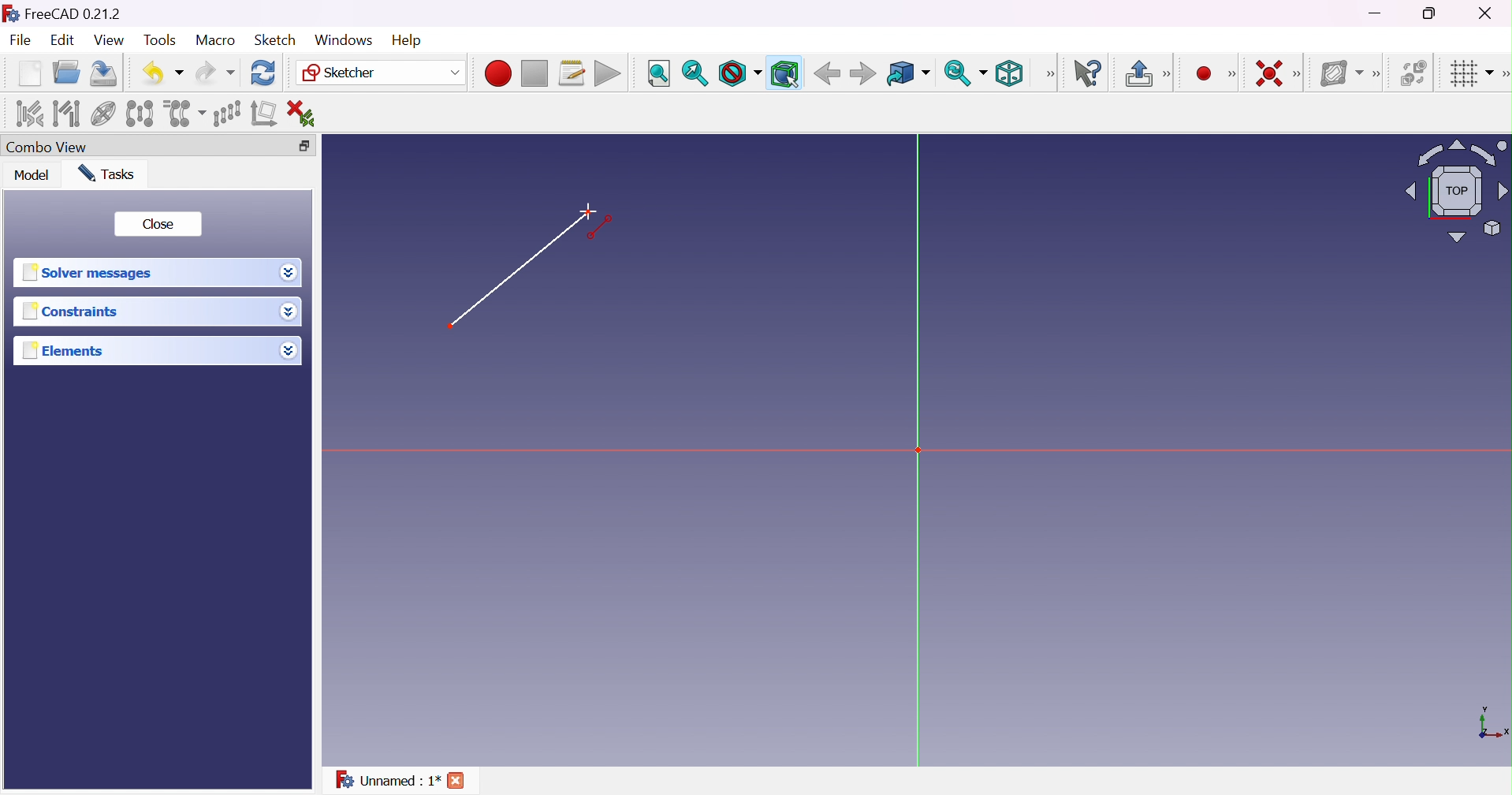  What do you see at coordinates (863, 75) in the screenshot?
I see `Forward` at bounding box center [863, 75].